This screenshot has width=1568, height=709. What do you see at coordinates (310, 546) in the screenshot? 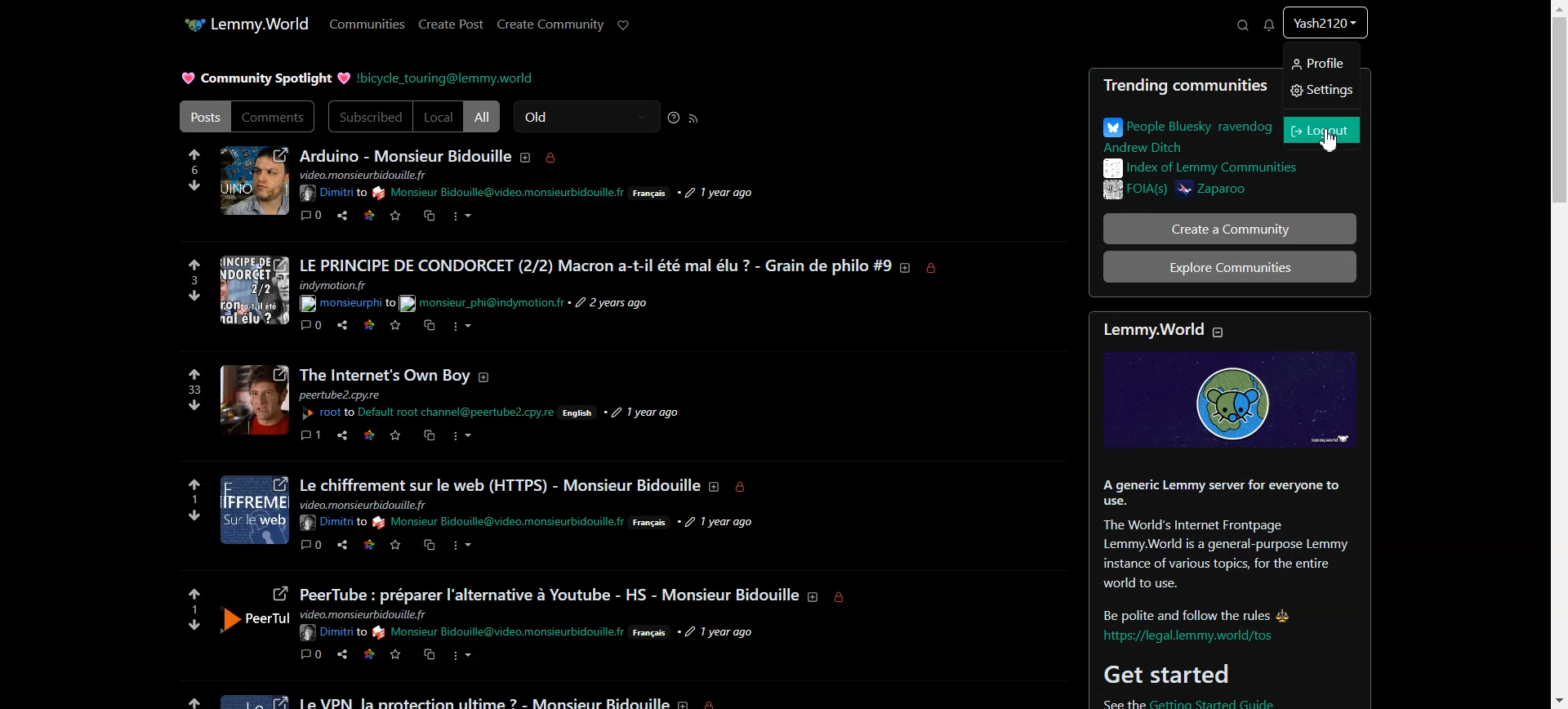
I see `comment` at bounding box center [310, 546].